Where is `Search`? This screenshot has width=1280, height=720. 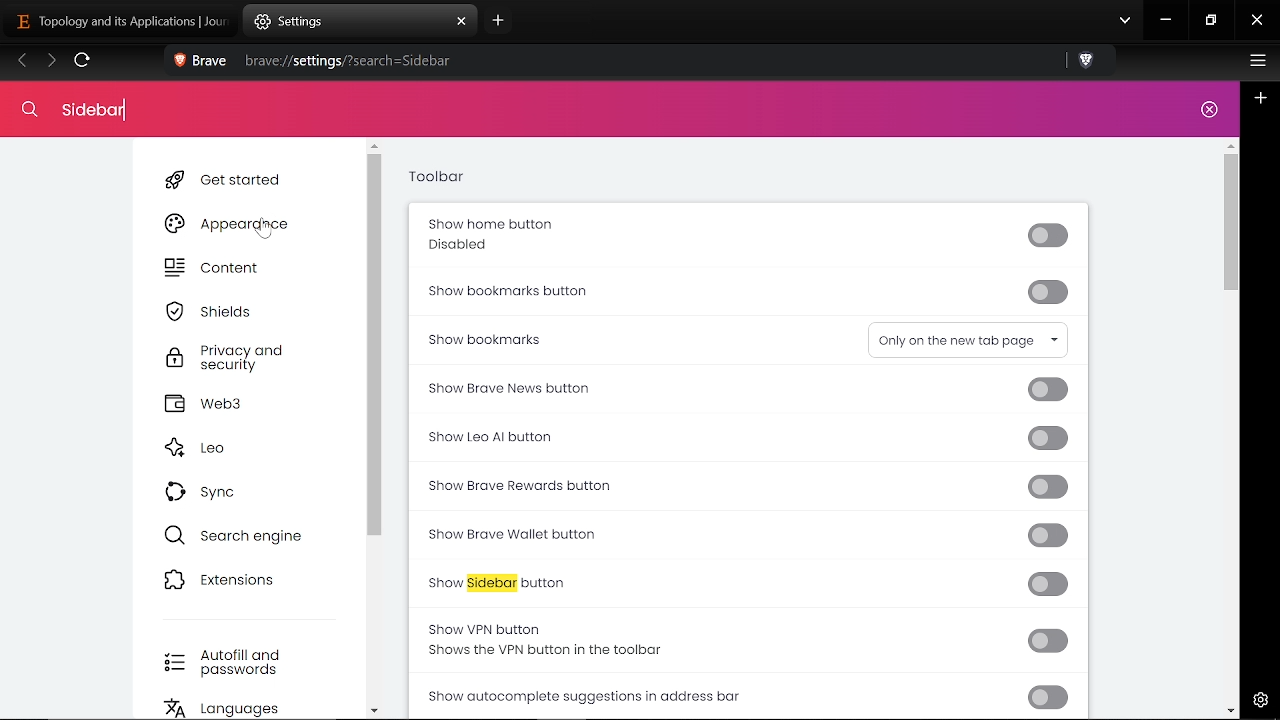
Search is located at coordinates (86, 108).